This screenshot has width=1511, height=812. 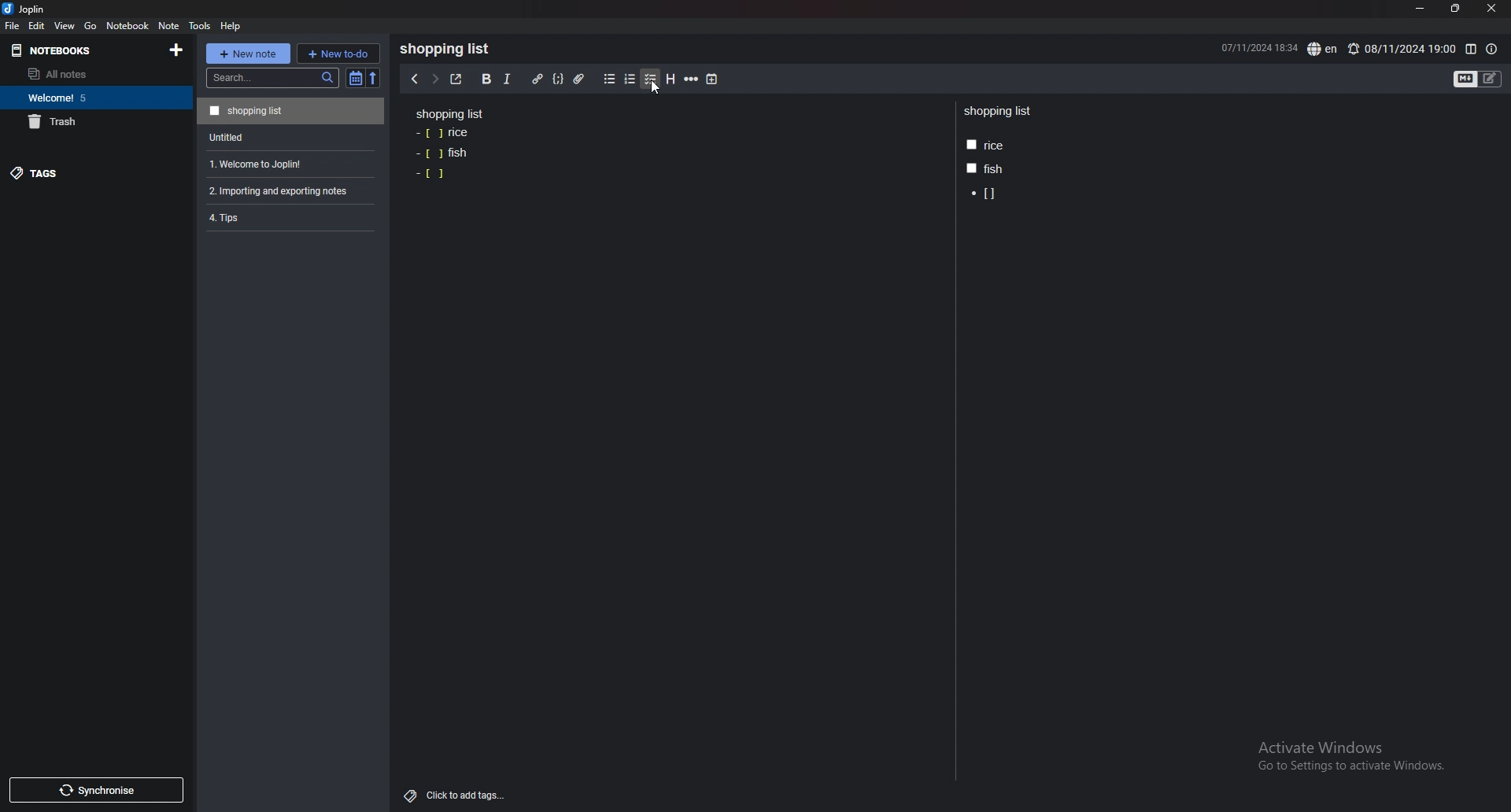 I want to click on toggle editors, so click(x=1478, y=79).